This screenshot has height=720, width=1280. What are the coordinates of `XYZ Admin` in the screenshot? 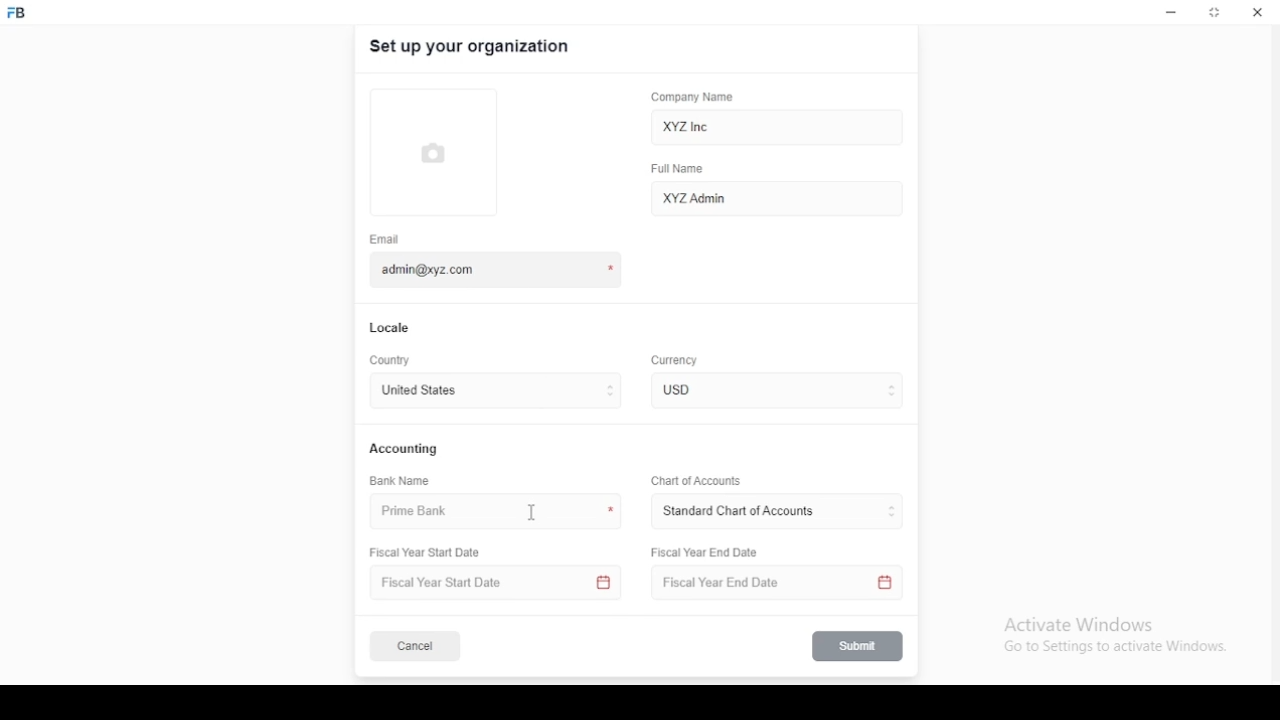 It's located at (777, 197).